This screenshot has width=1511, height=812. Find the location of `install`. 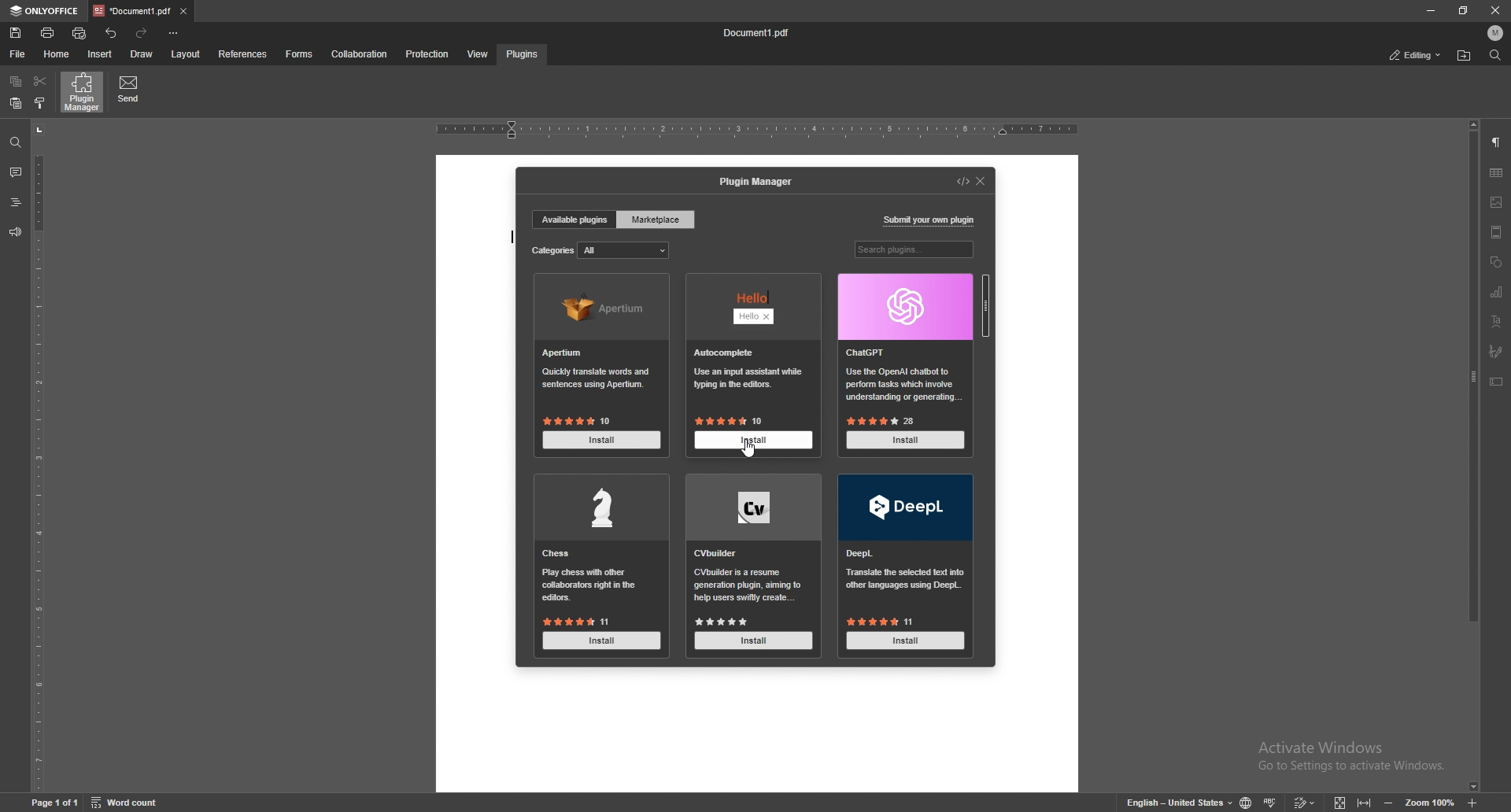

install is located at coordinates (600, 640).